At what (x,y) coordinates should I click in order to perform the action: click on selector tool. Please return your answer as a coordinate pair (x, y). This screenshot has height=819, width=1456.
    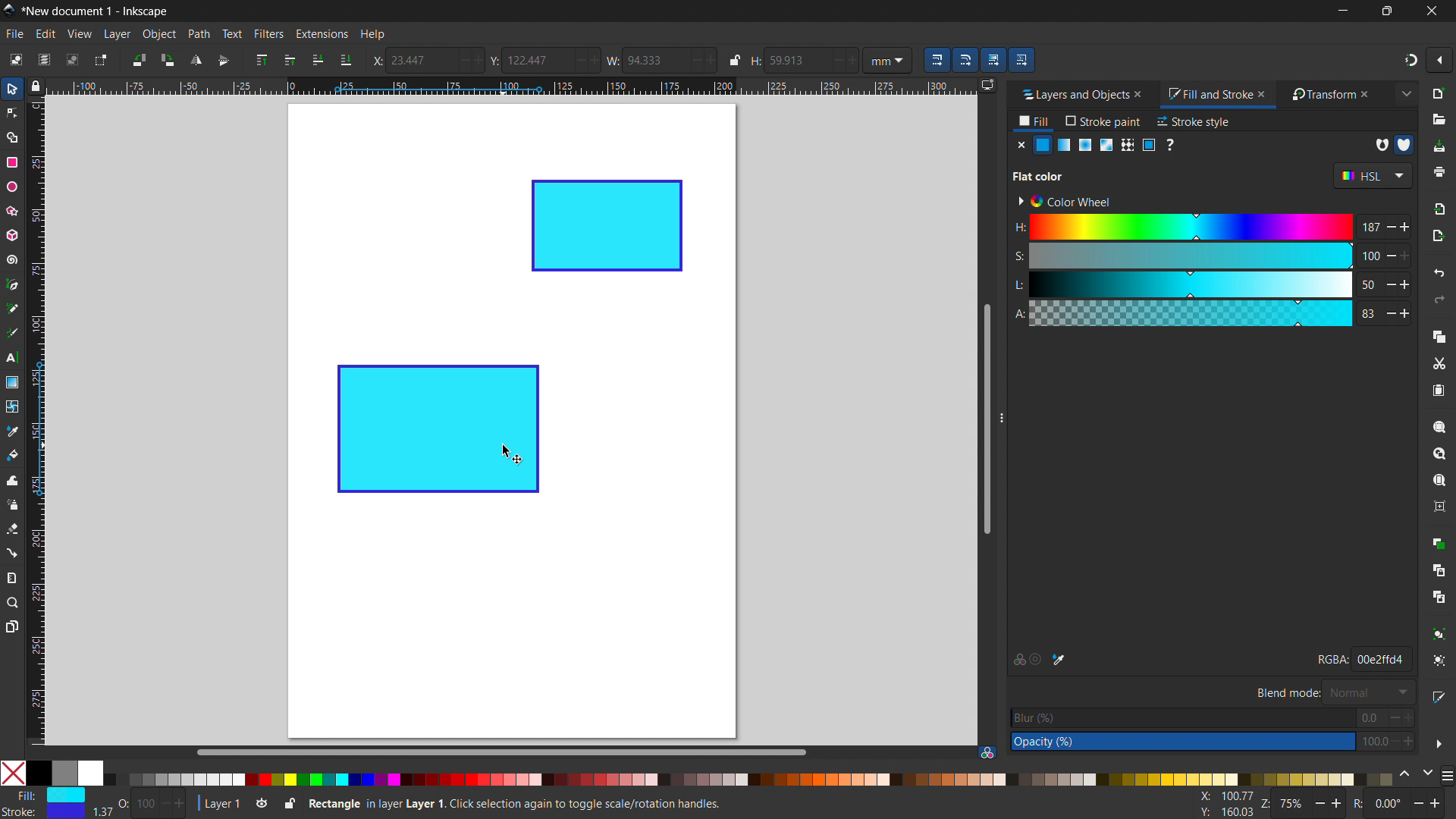
    Looking at the image, I should click on (12, 89).